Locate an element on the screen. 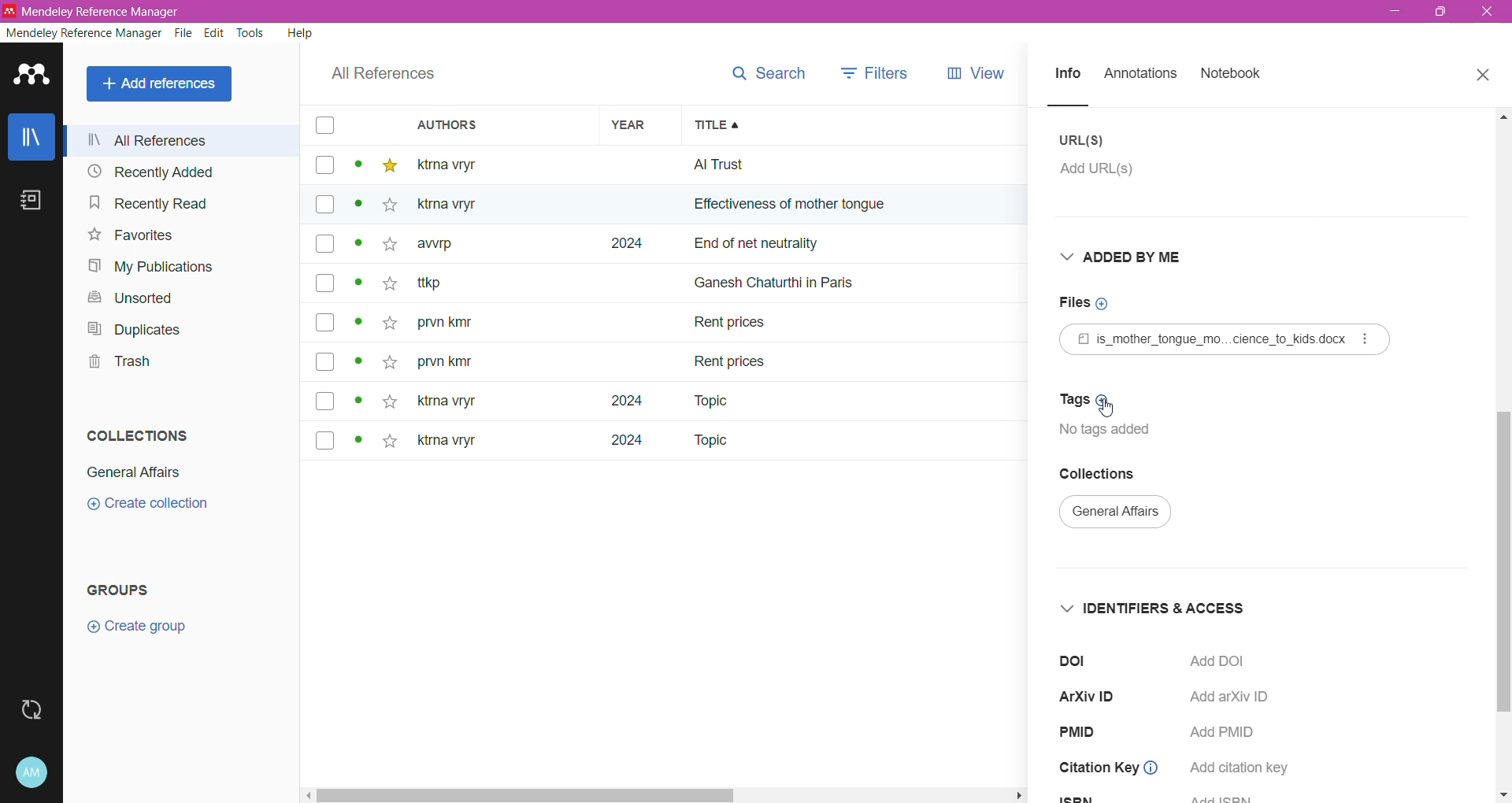  Trash is located at coordinates (117, 361).